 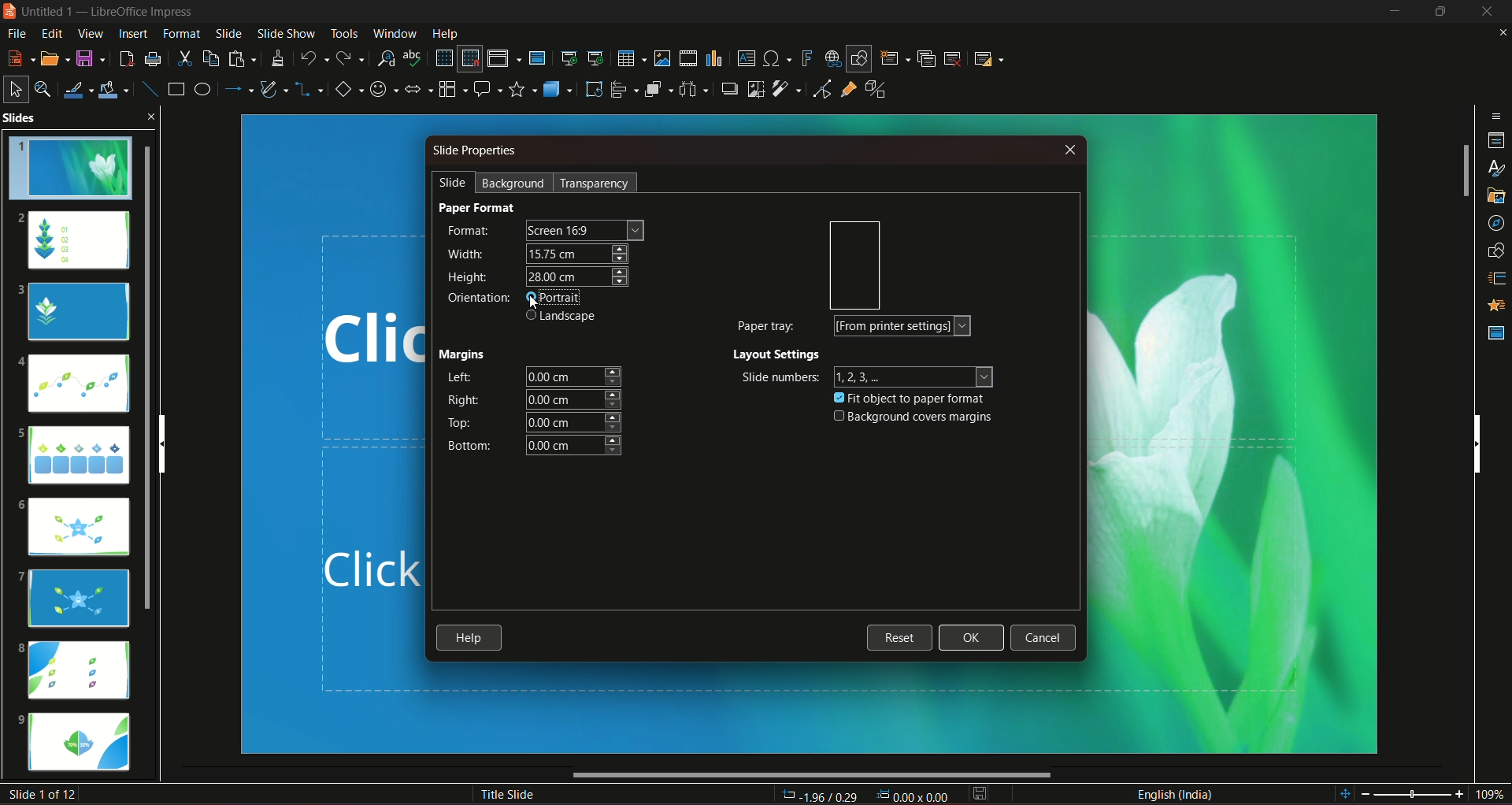 What do you see at coordinates (777, 377) in the screenshot?
I see `slide numbers` at bounding box center [777, 377].